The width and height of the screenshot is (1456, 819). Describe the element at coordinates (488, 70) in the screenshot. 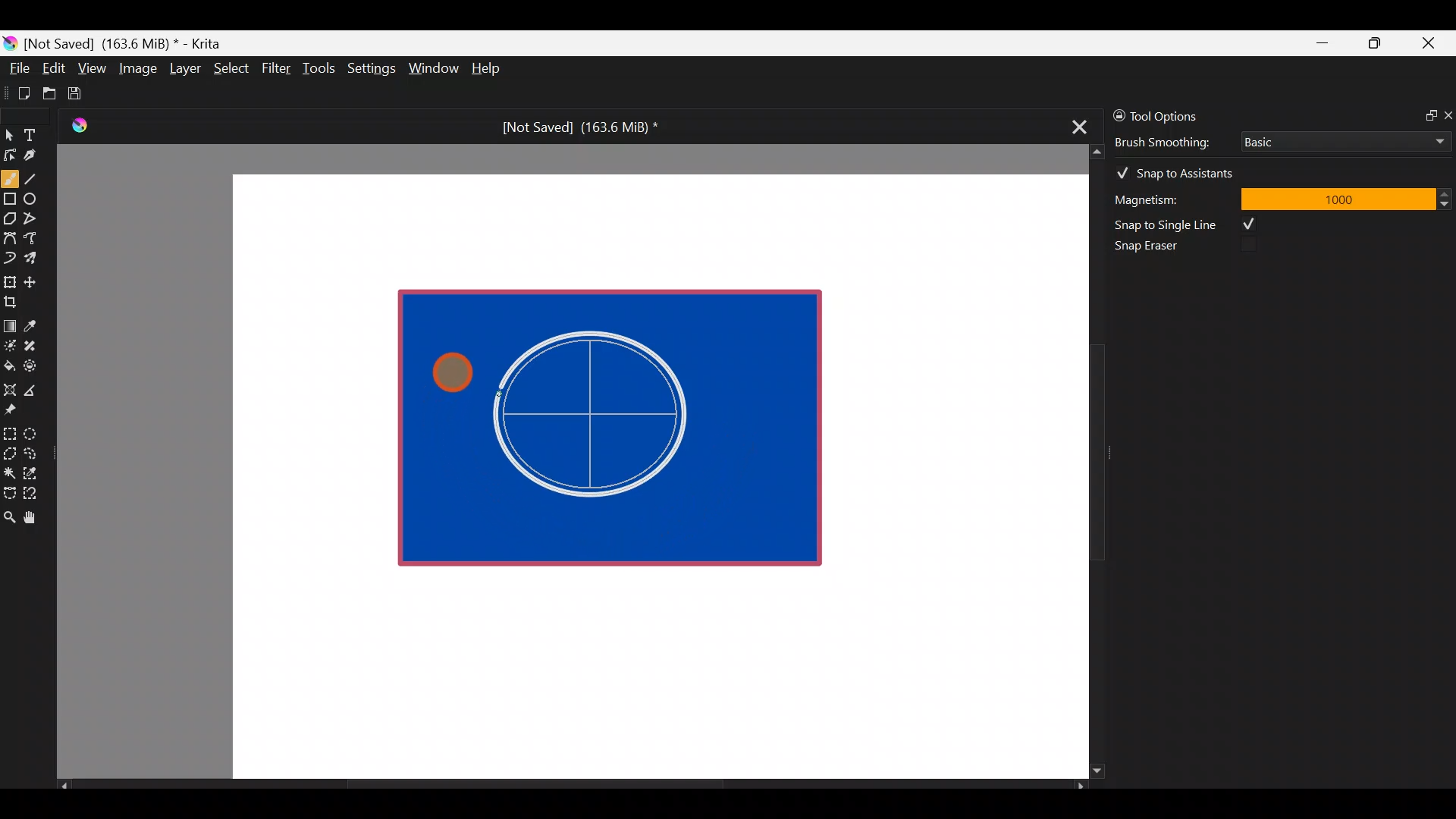

I see `Help` at that location.